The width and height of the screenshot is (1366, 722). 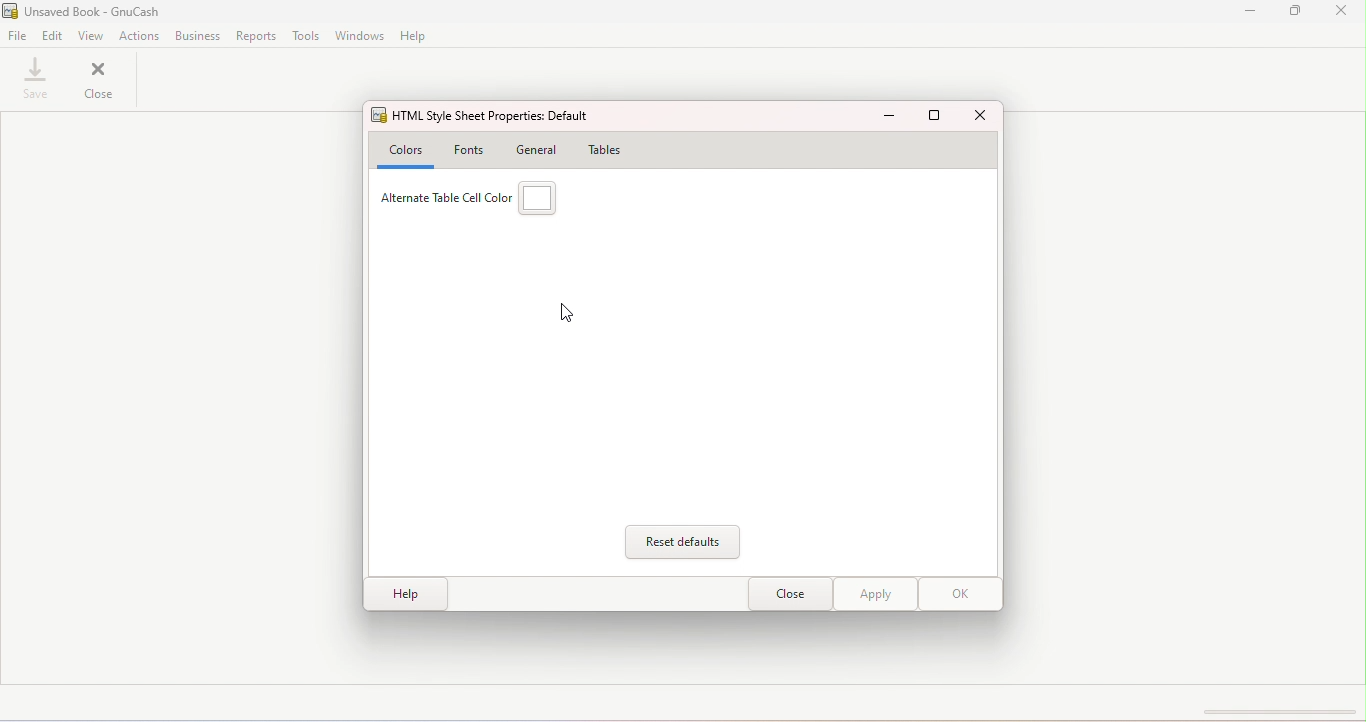 I want to click on HTML Style sheet properties: default, so click(x=486, y=112).